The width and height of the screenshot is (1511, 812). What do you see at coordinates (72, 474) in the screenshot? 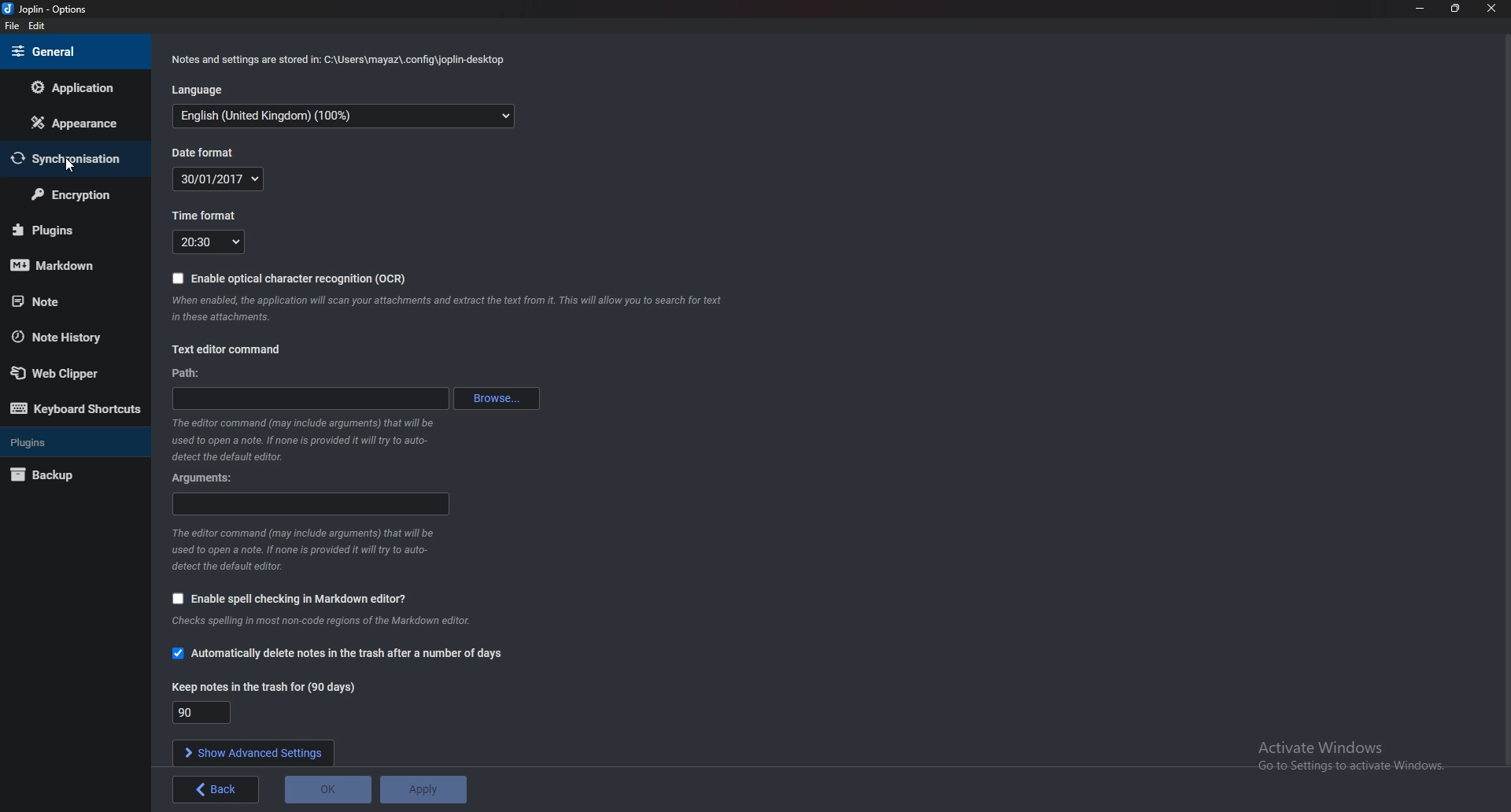
I see `Backup` at bounding box center [72, 474].